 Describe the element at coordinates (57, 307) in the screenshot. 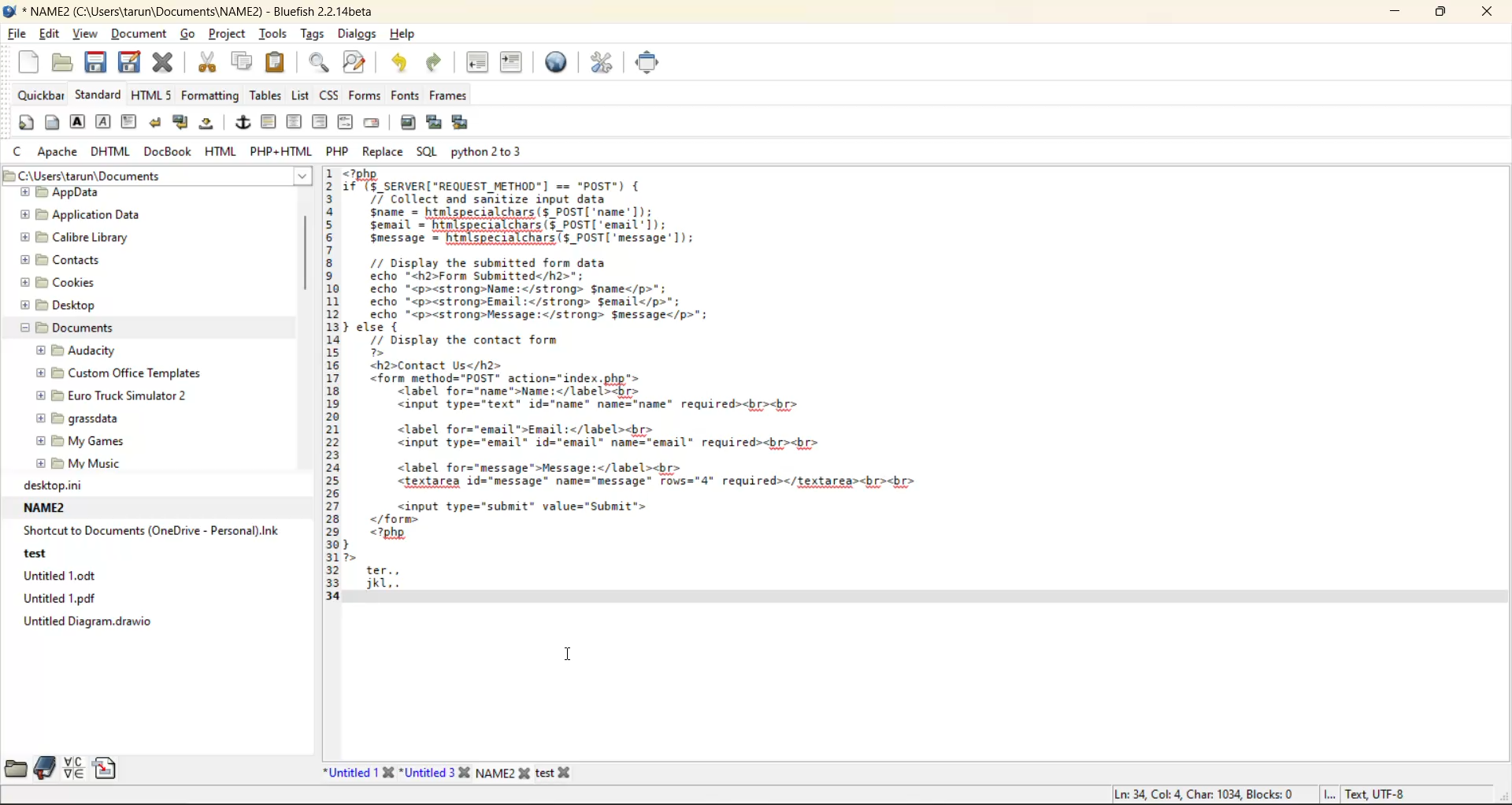

I see `Desktop` at that location.